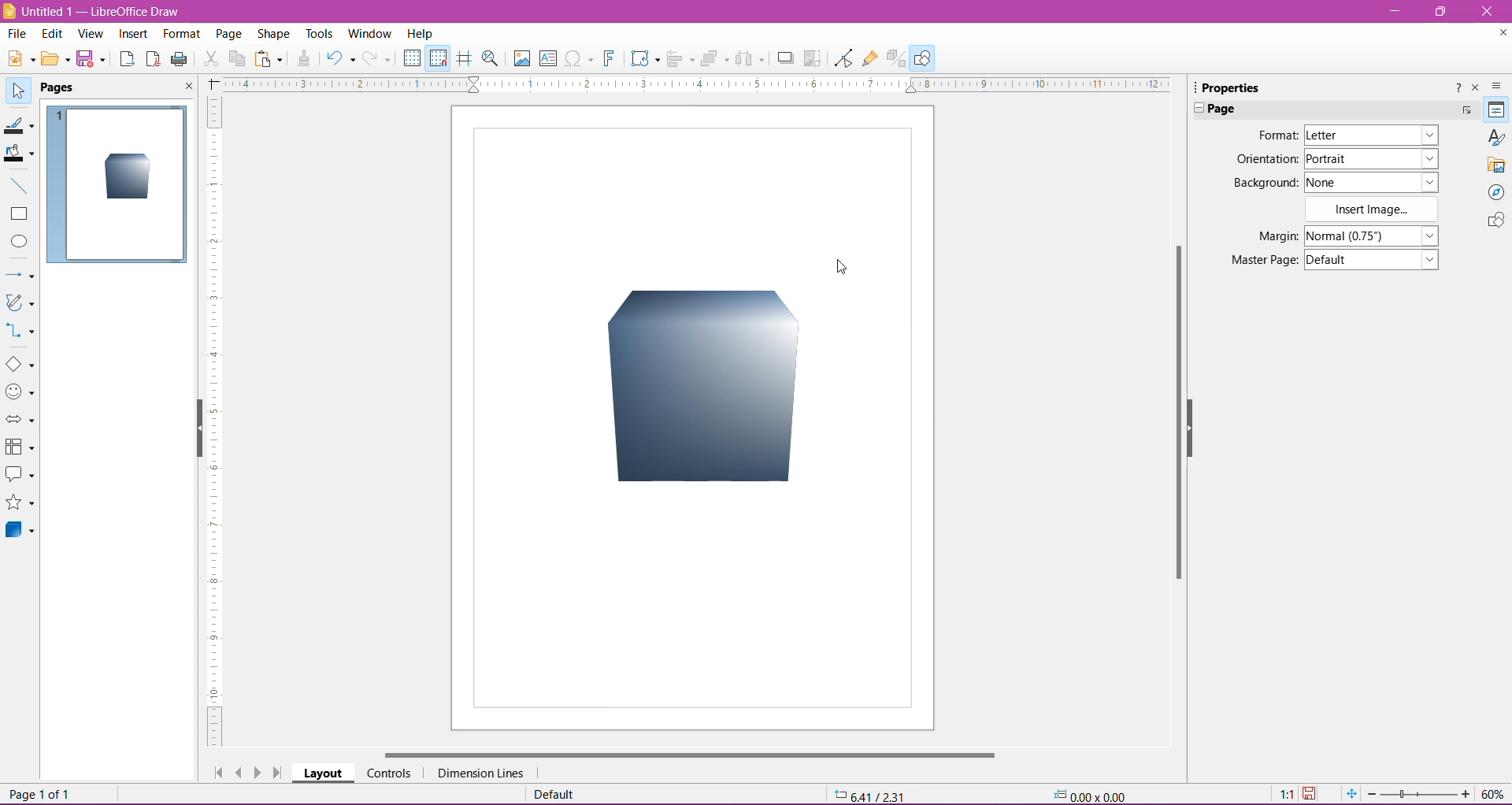 The width and height of the screenshot is (1512, 805). Describe the element at coordinates (579, 58) in the screenshot. I see `Insert Special Characters` at that location.